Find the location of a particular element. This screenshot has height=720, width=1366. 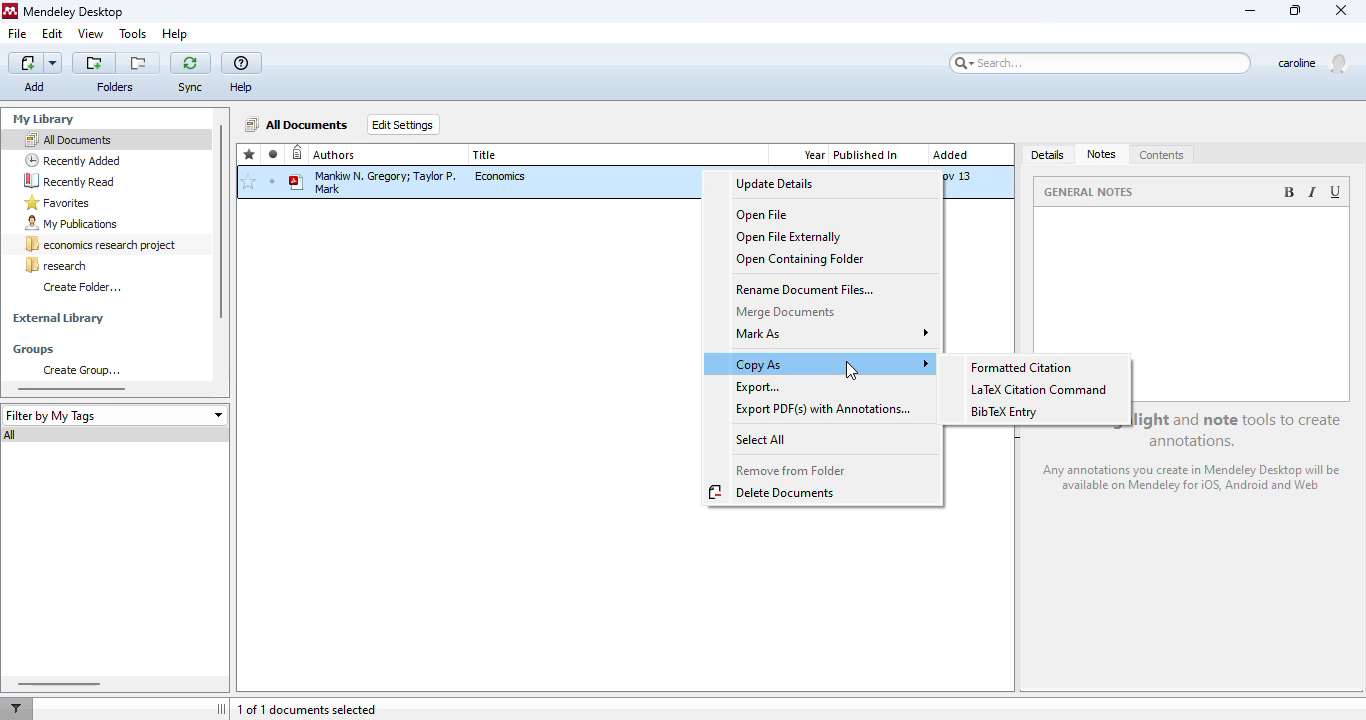

mark as is located at coordinates (834, 333).